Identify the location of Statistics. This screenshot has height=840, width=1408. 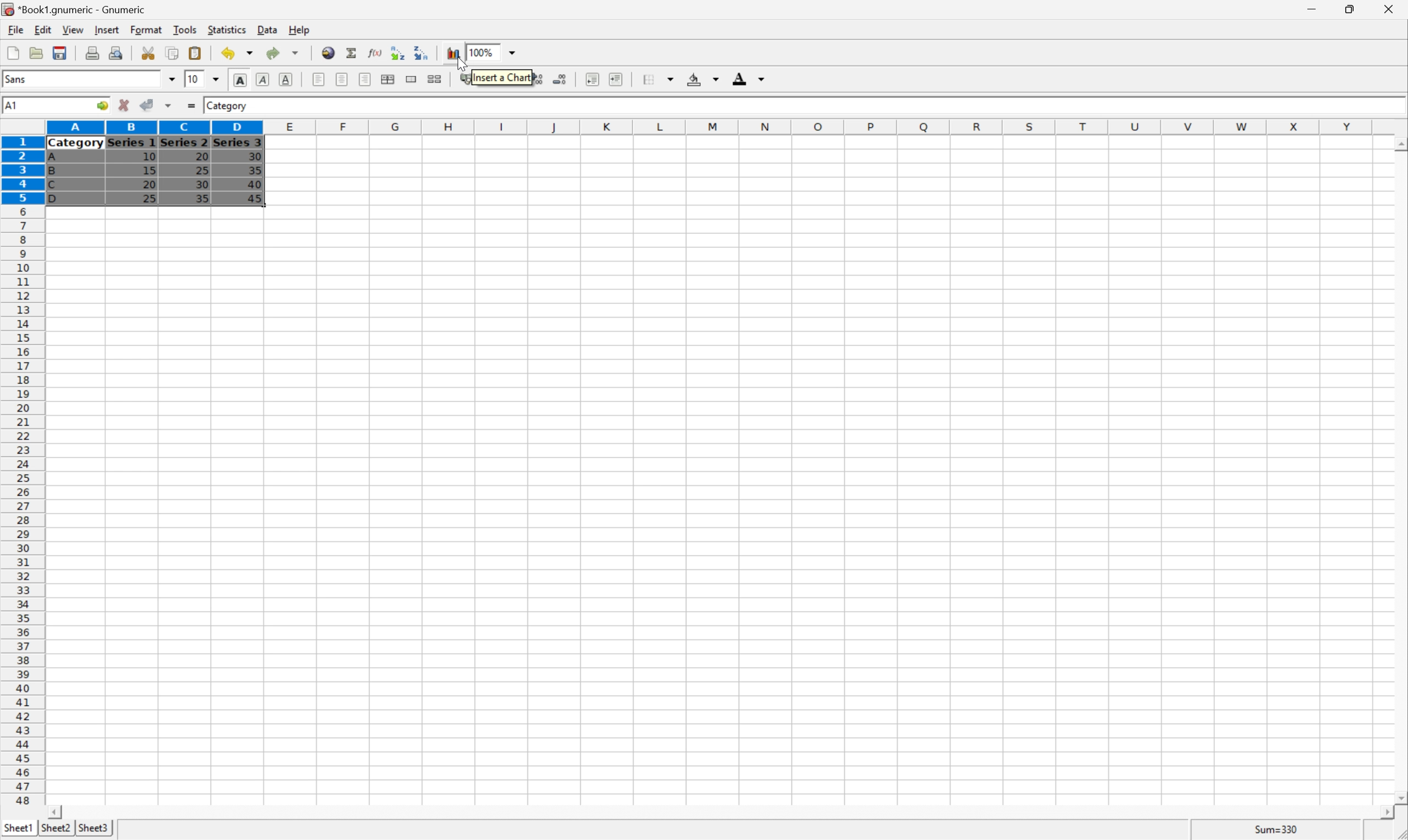
(228, 30).